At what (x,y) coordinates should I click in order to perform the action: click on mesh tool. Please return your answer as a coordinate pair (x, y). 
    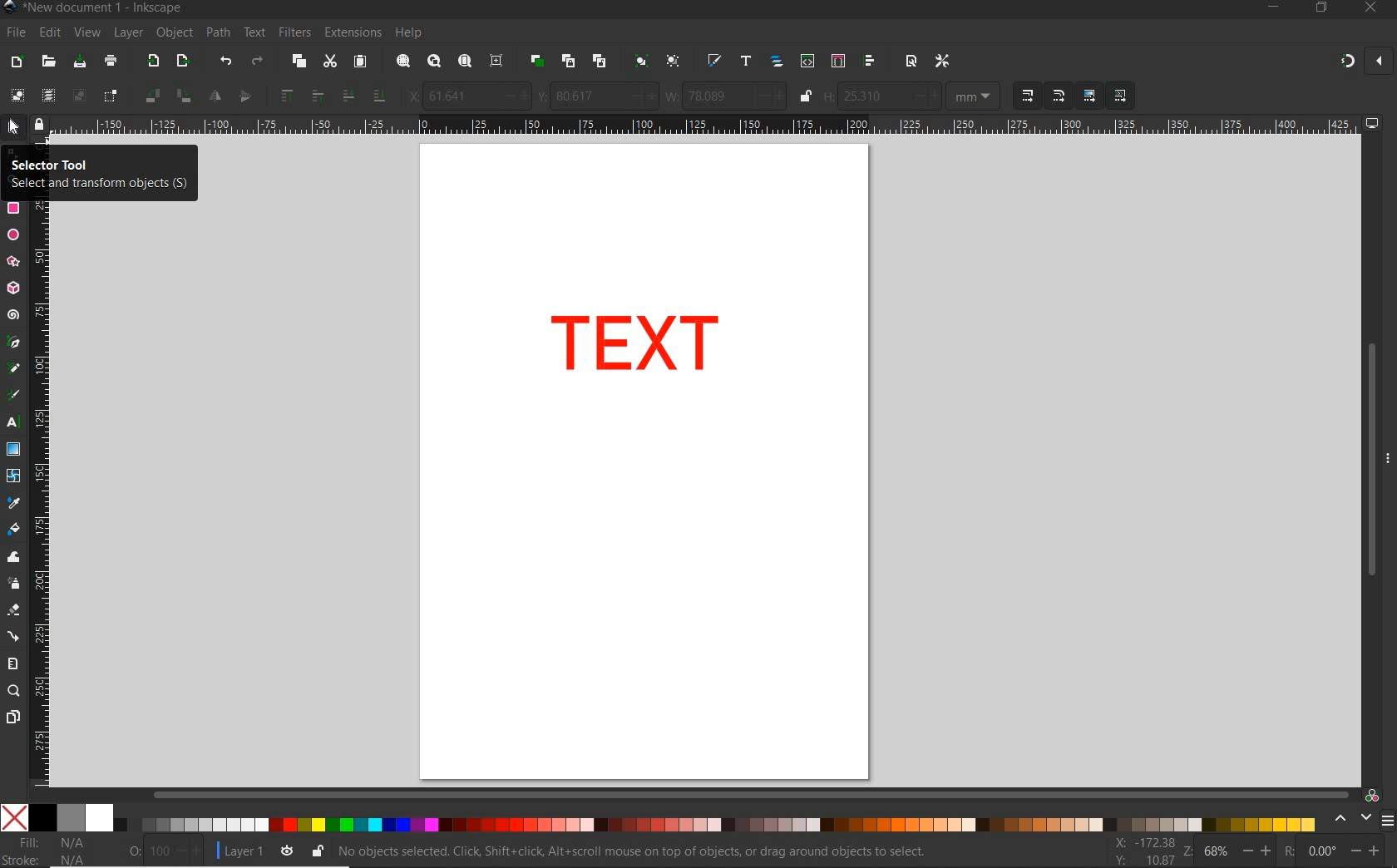
    Looking at the image, I should click on (14, 478).